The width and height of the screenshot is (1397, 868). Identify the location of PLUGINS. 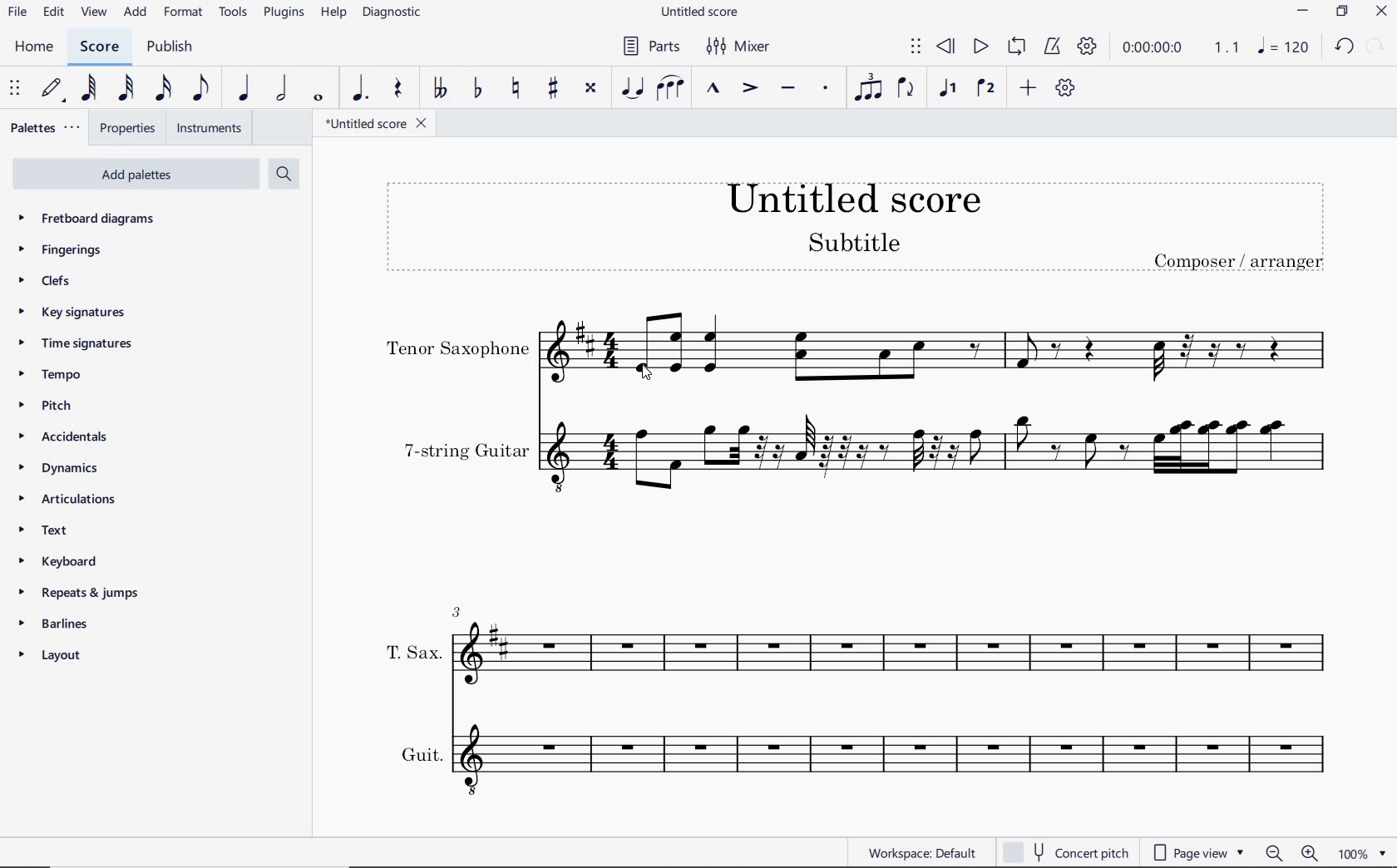
(283, 13).